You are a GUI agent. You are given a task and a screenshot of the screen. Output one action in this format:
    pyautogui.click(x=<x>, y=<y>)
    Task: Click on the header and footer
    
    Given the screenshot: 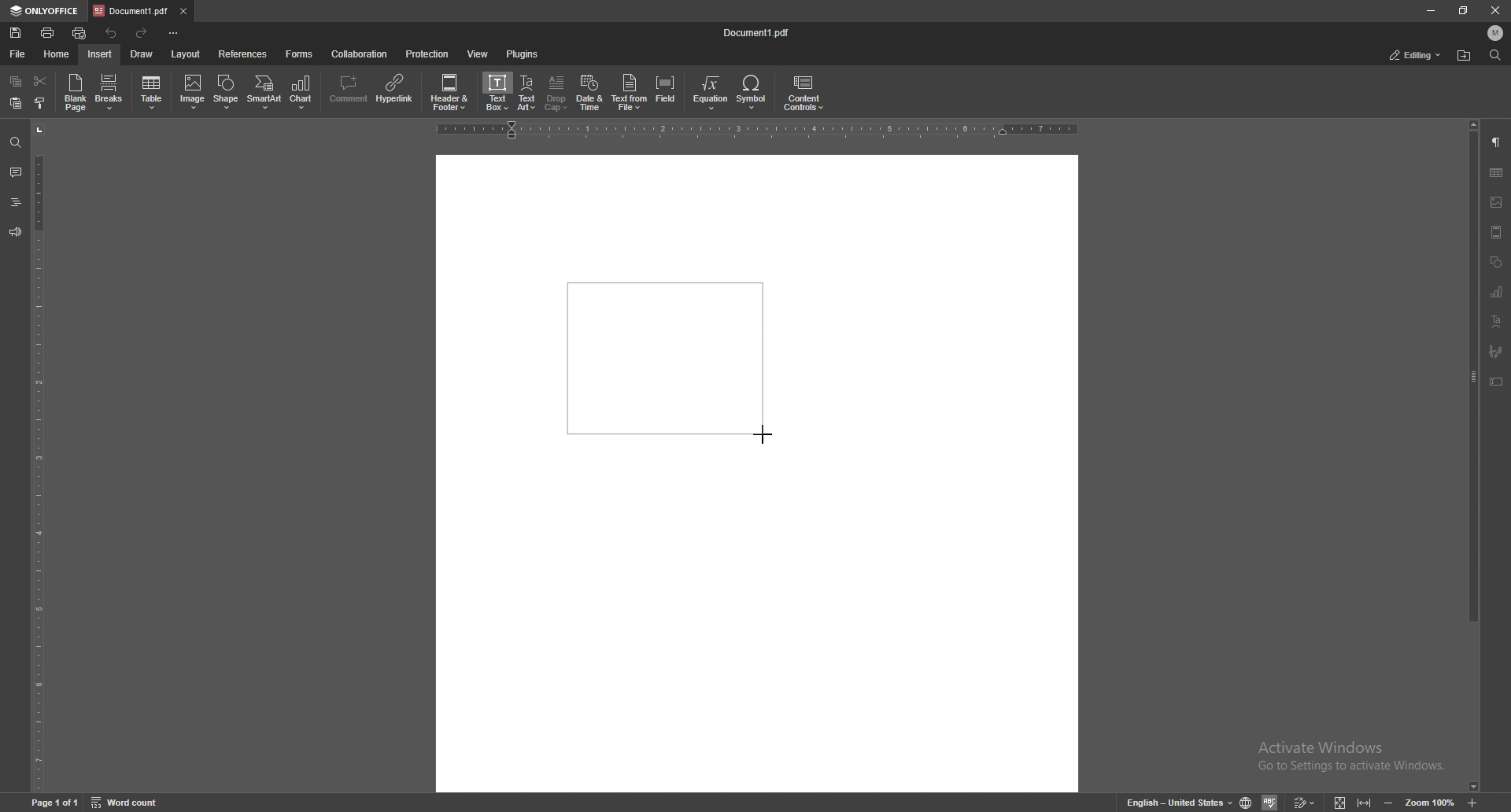 What is the action you would take?
    pyautogui.click(x=1496, y=232)
    